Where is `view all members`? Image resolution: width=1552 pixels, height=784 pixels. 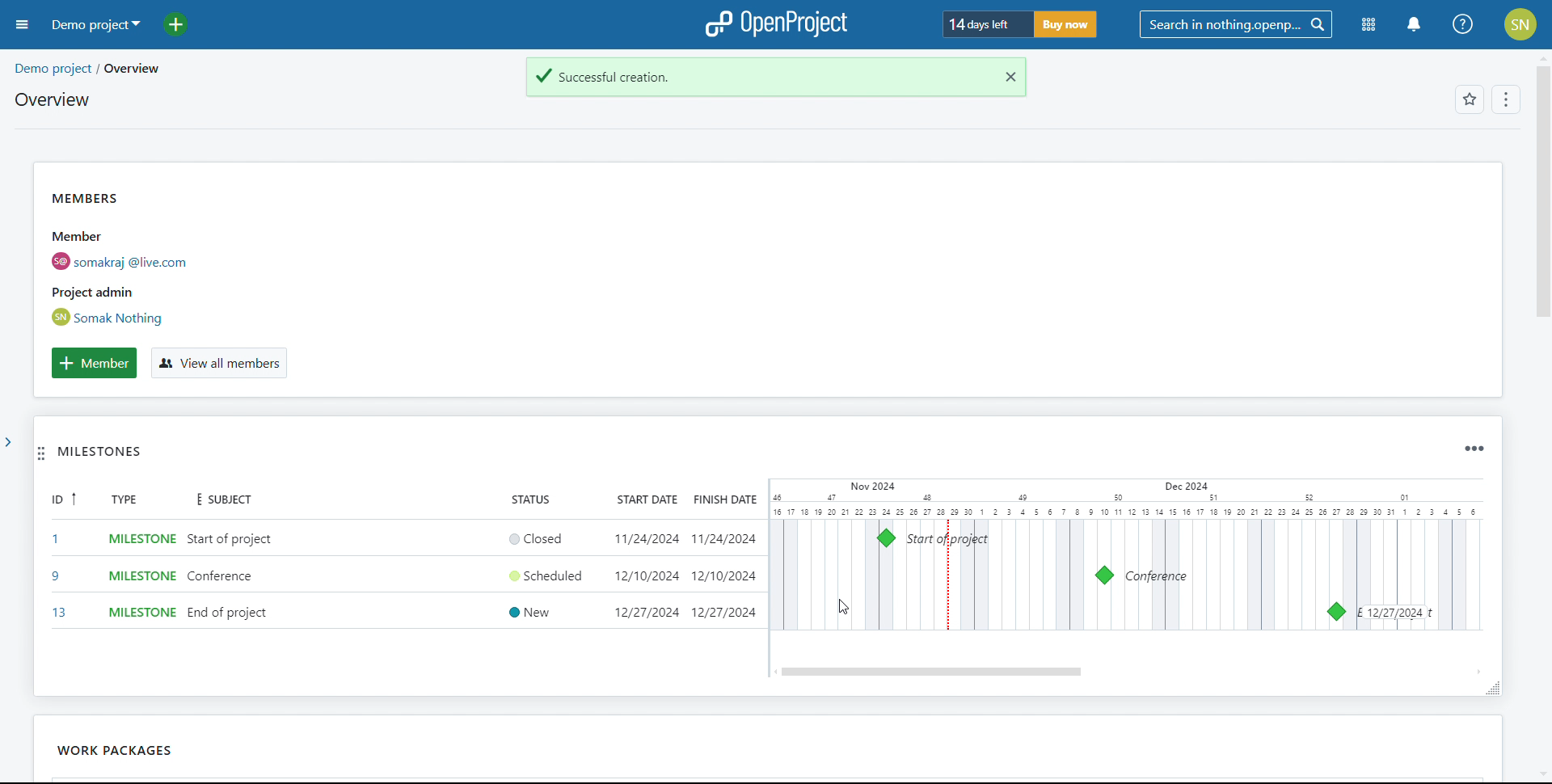
view all members is located at coordinates (217, 364).